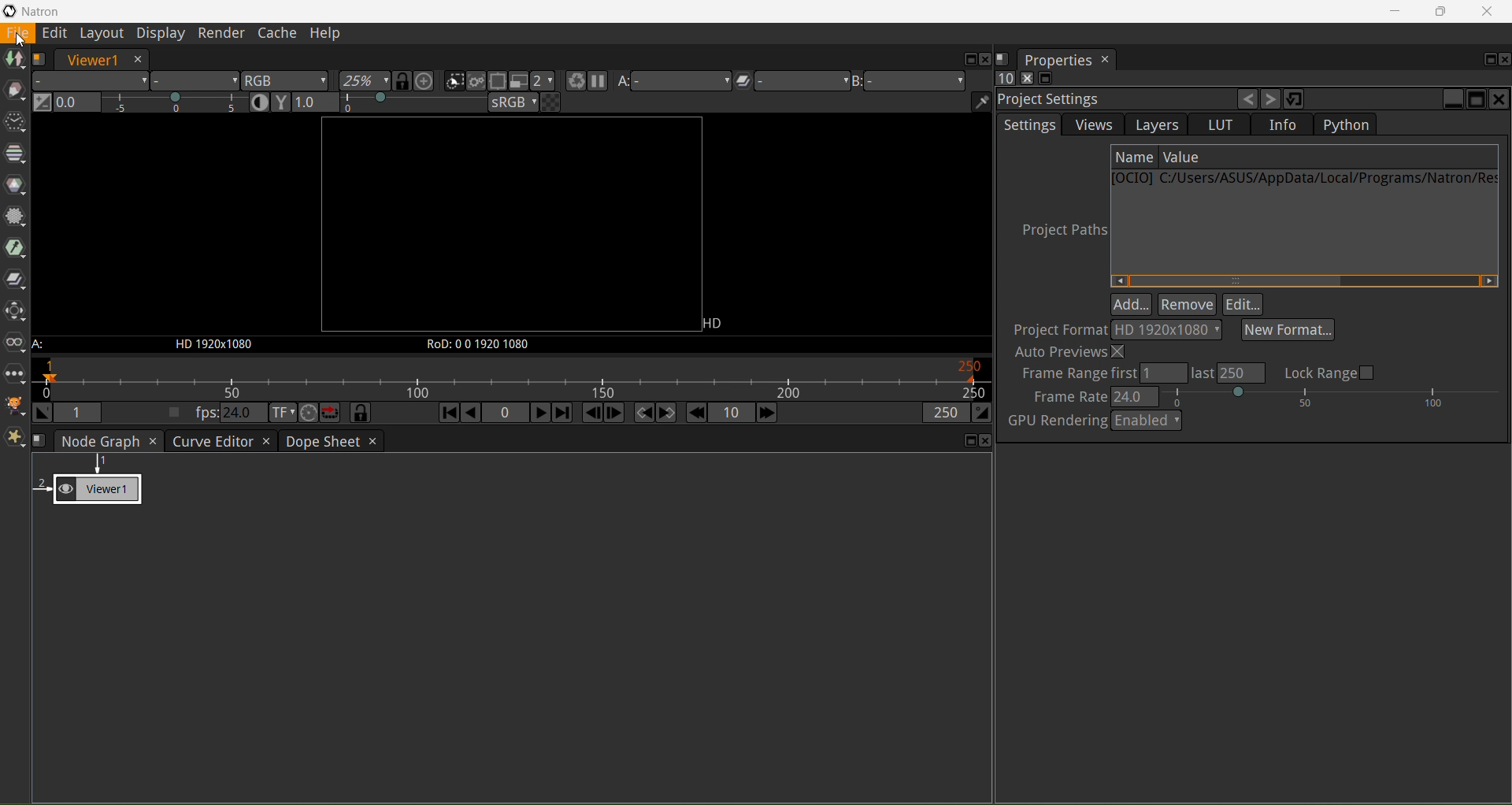 The width and height of the screenshot is (1512, 805). What do you see at coordinates (1006, 58) in the screenshot?
I see `Manage layouts for this pane` at bounding box center [1006, 58].